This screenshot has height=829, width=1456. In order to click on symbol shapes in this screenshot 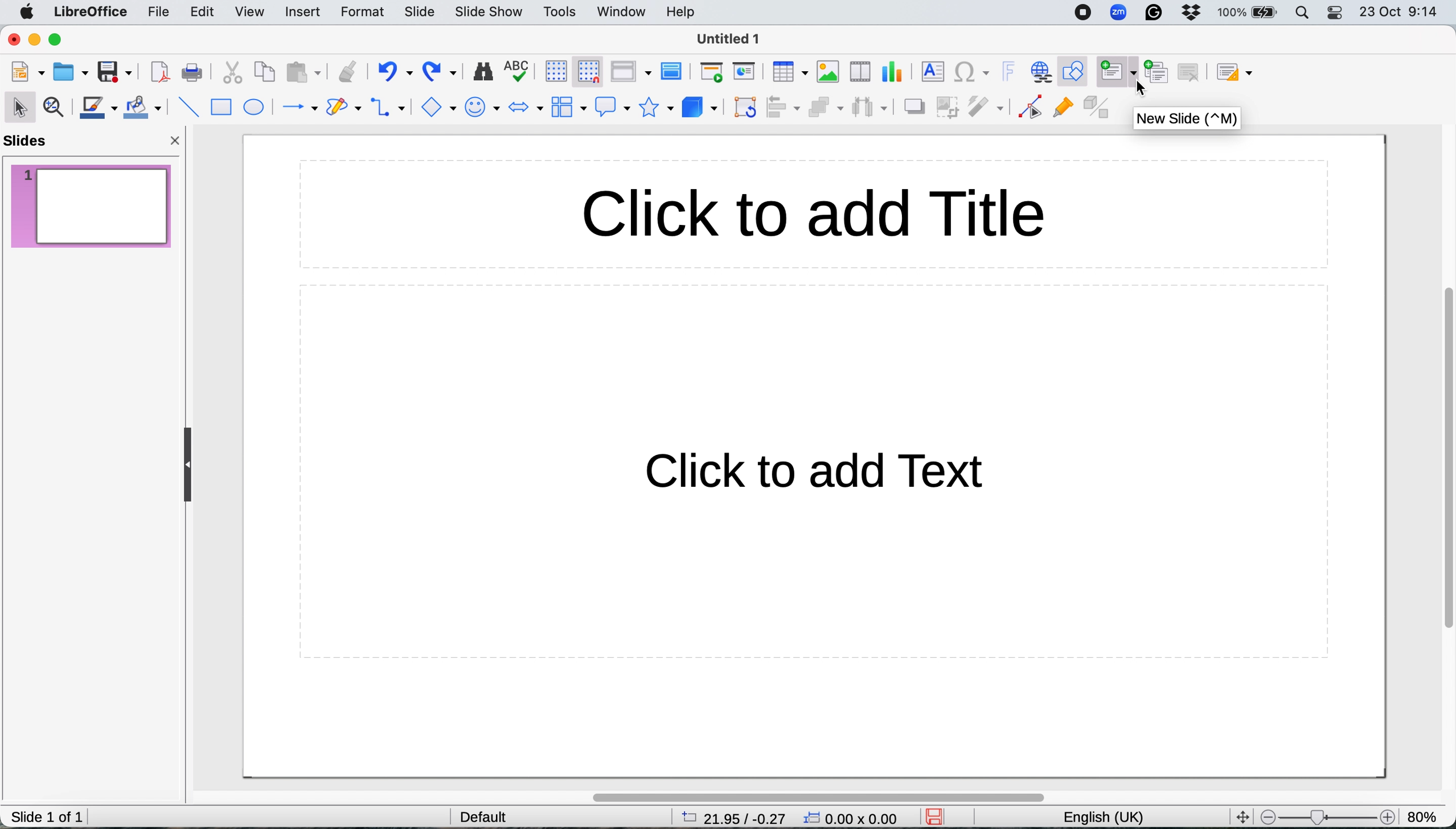, I will do `click(485, 108)`.